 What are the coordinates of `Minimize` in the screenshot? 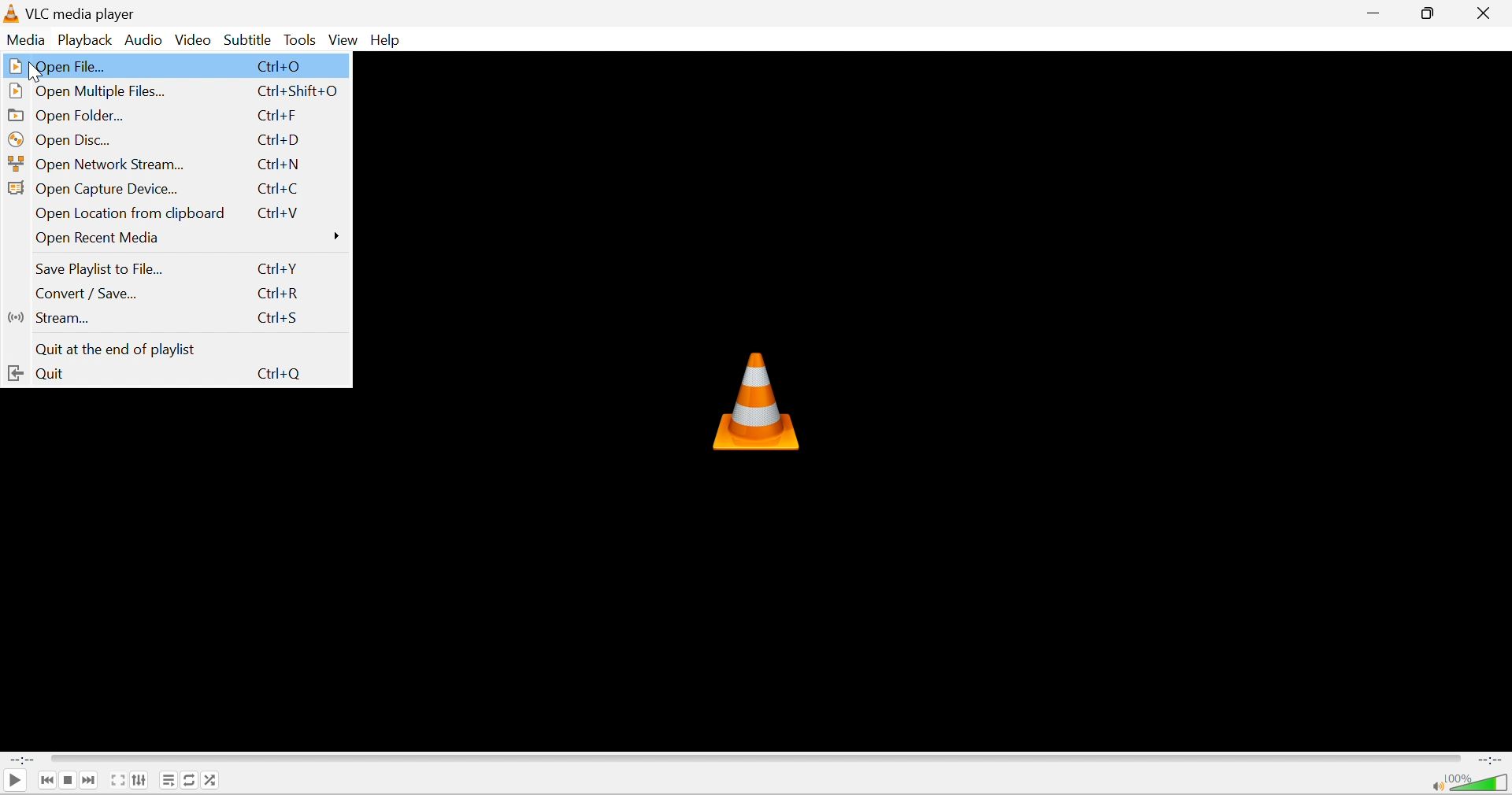 It's located at (1378, 11).